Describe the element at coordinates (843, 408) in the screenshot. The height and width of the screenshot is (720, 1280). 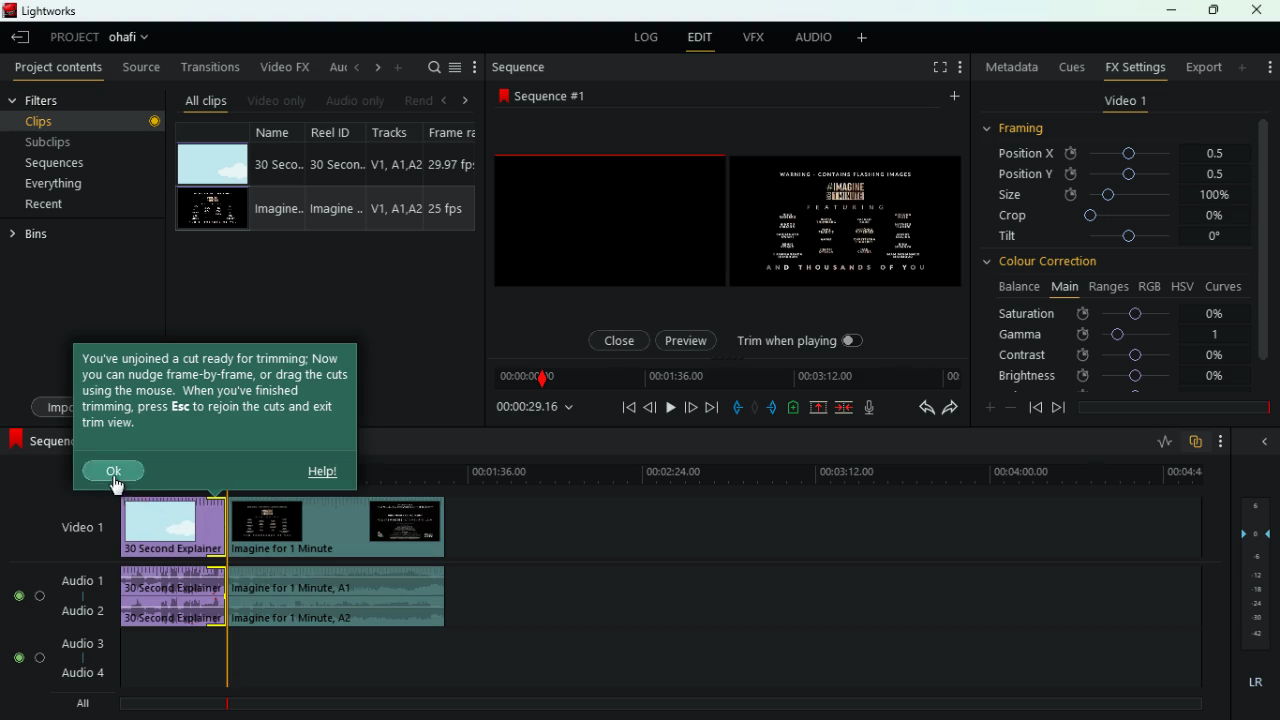
I see `join` at that location.